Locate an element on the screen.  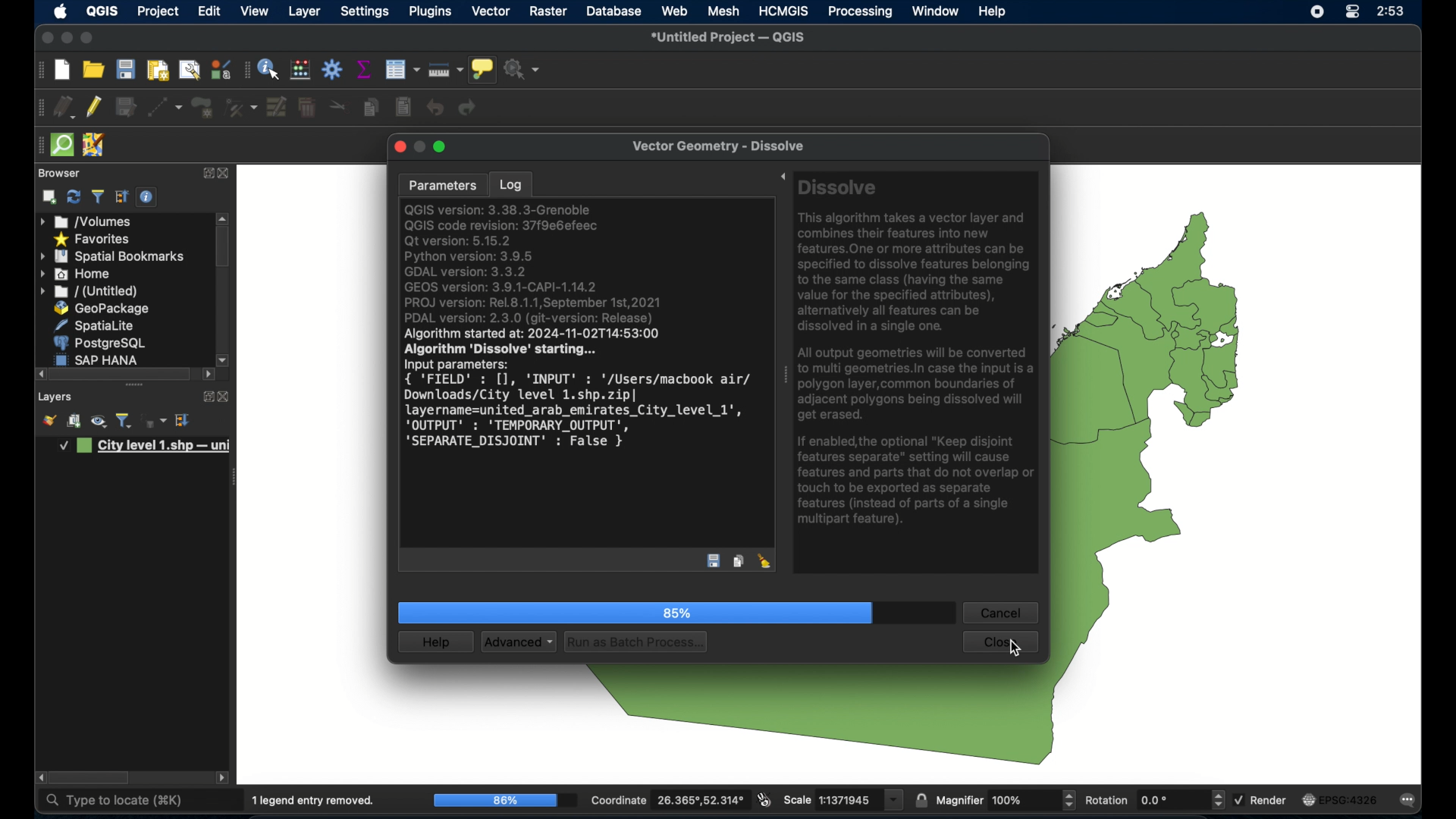
database is located at coordinates (615, 11).